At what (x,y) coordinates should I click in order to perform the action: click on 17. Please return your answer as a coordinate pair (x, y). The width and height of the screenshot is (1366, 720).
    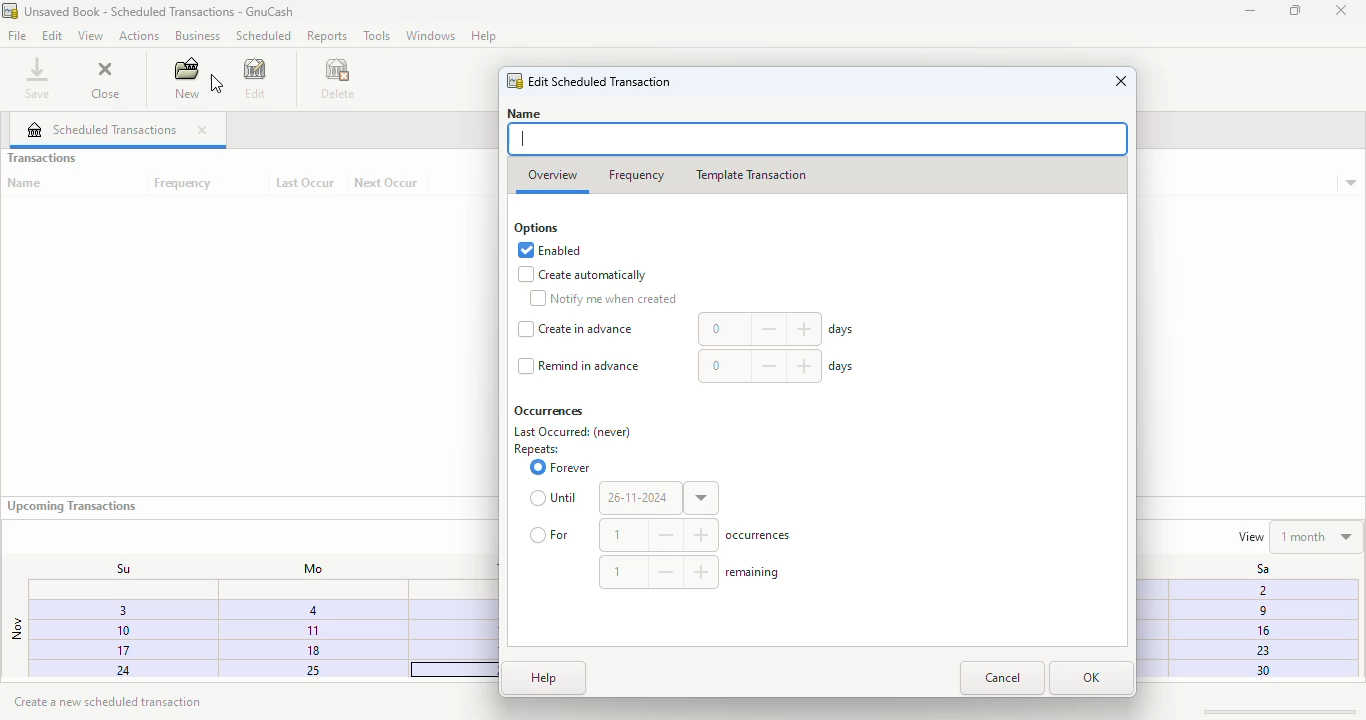
    Looking at the image, I should click on (104, 652).